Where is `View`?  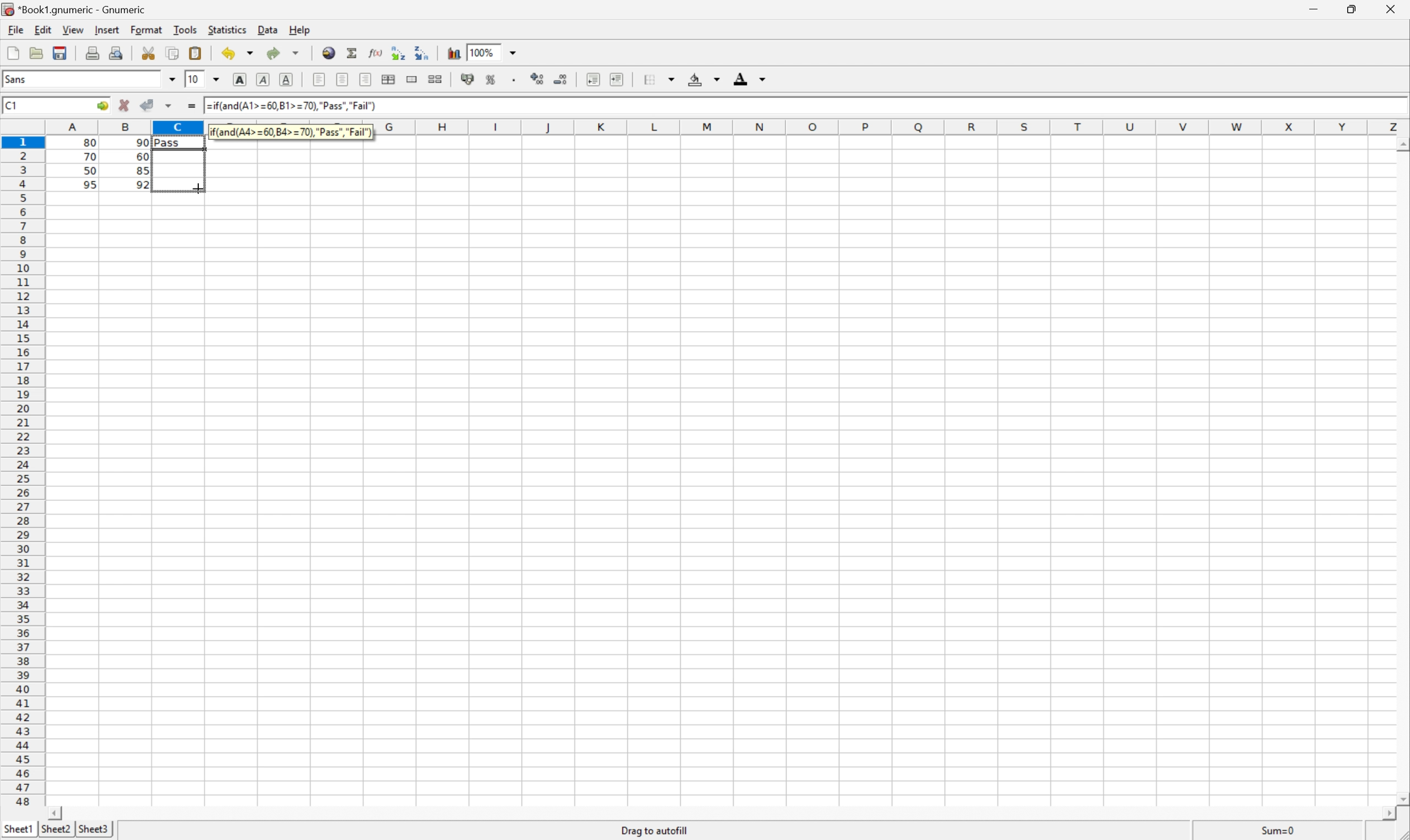 View is located at coordinates (74, 29).